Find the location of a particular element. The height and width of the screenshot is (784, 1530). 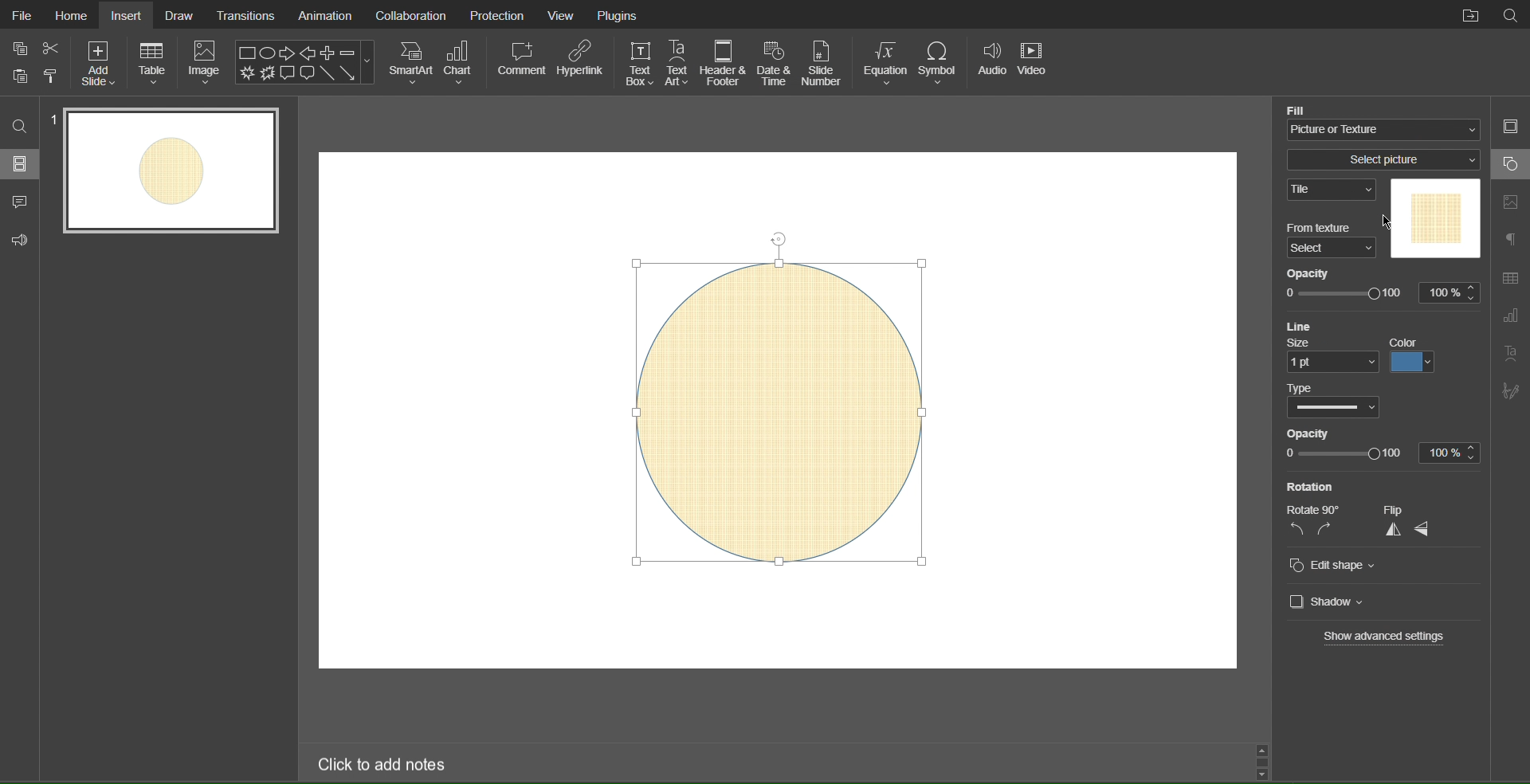

Comment is located at coordinates (521, 62).